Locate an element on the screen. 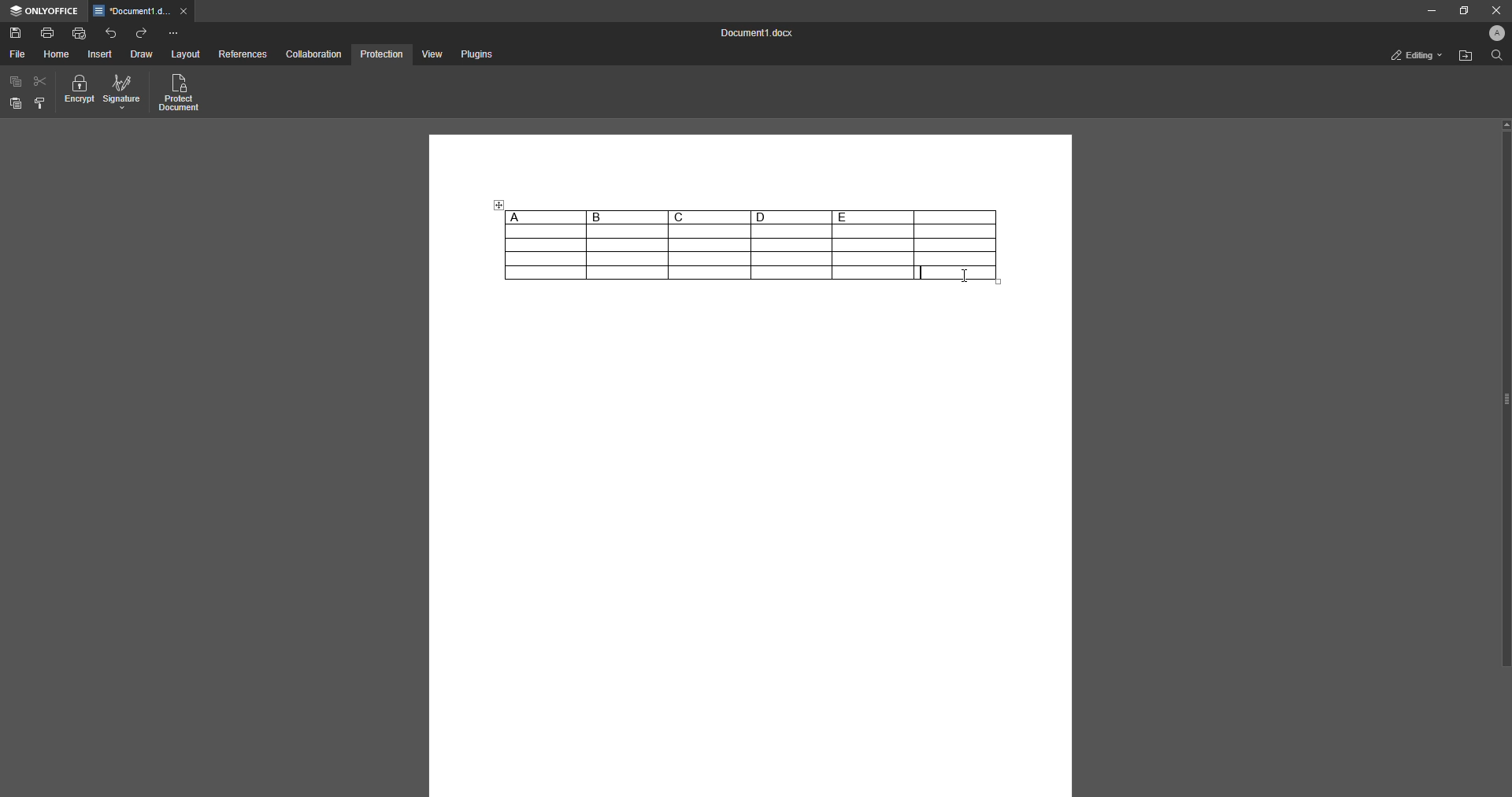 The width and height of the screenshot is (1512, 797). E is located at coordinates (873, 217).